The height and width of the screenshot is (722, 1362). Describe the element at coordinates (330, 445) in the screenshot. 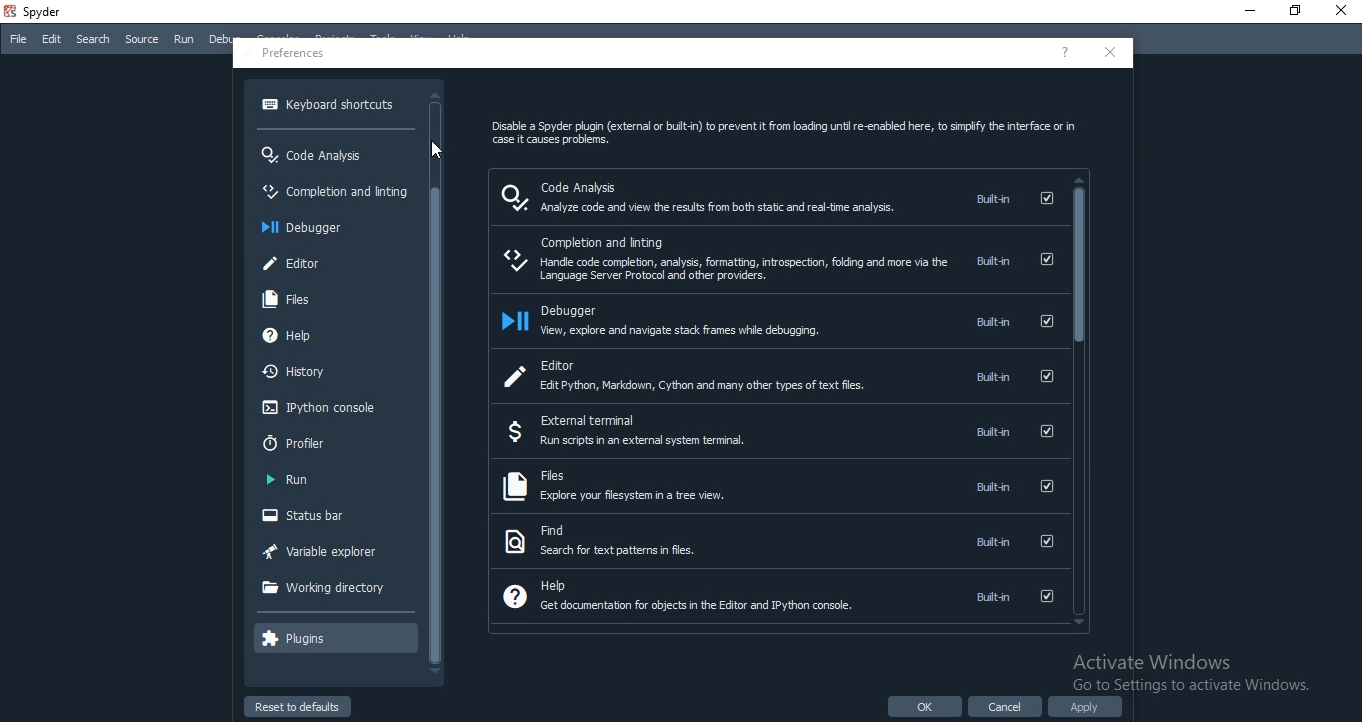

I see `profiler` at that location.